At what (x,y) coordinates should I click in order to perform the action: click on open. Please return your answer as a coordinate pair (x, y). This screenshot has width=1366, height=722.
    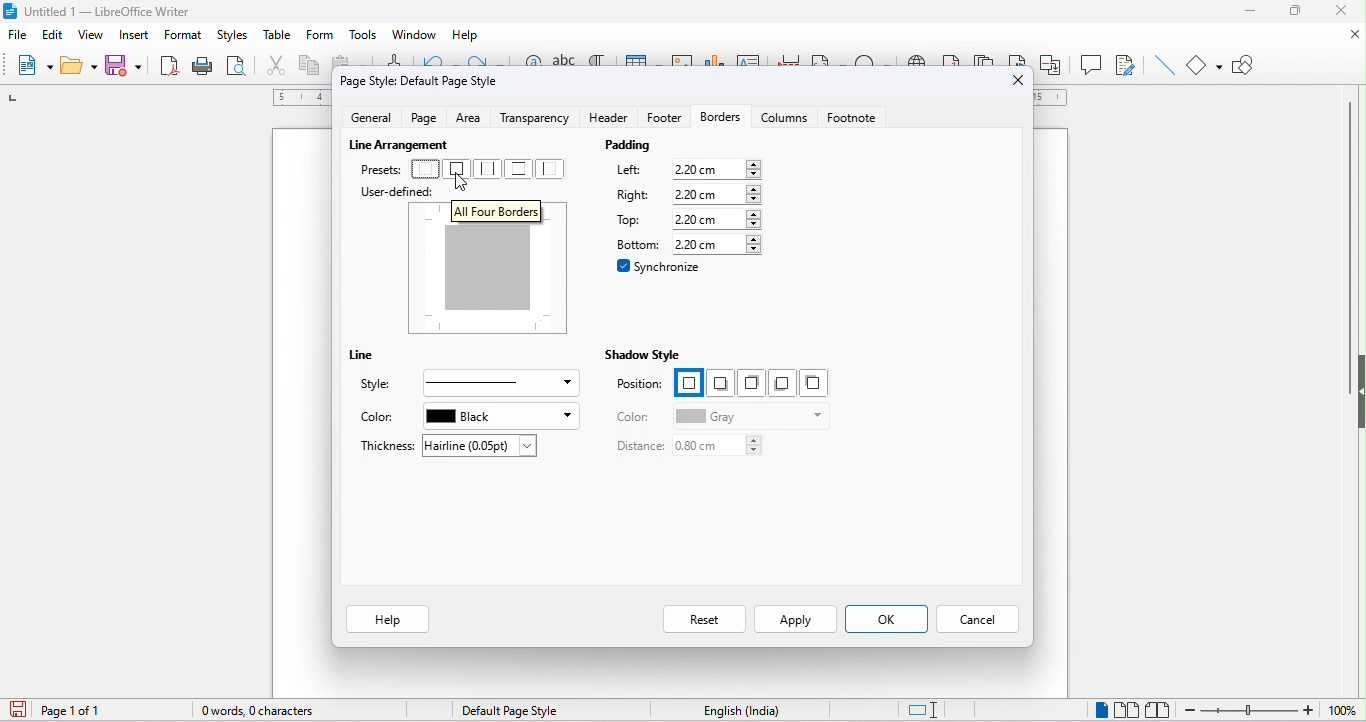
    Looking at the image, I should click on (77, 68).